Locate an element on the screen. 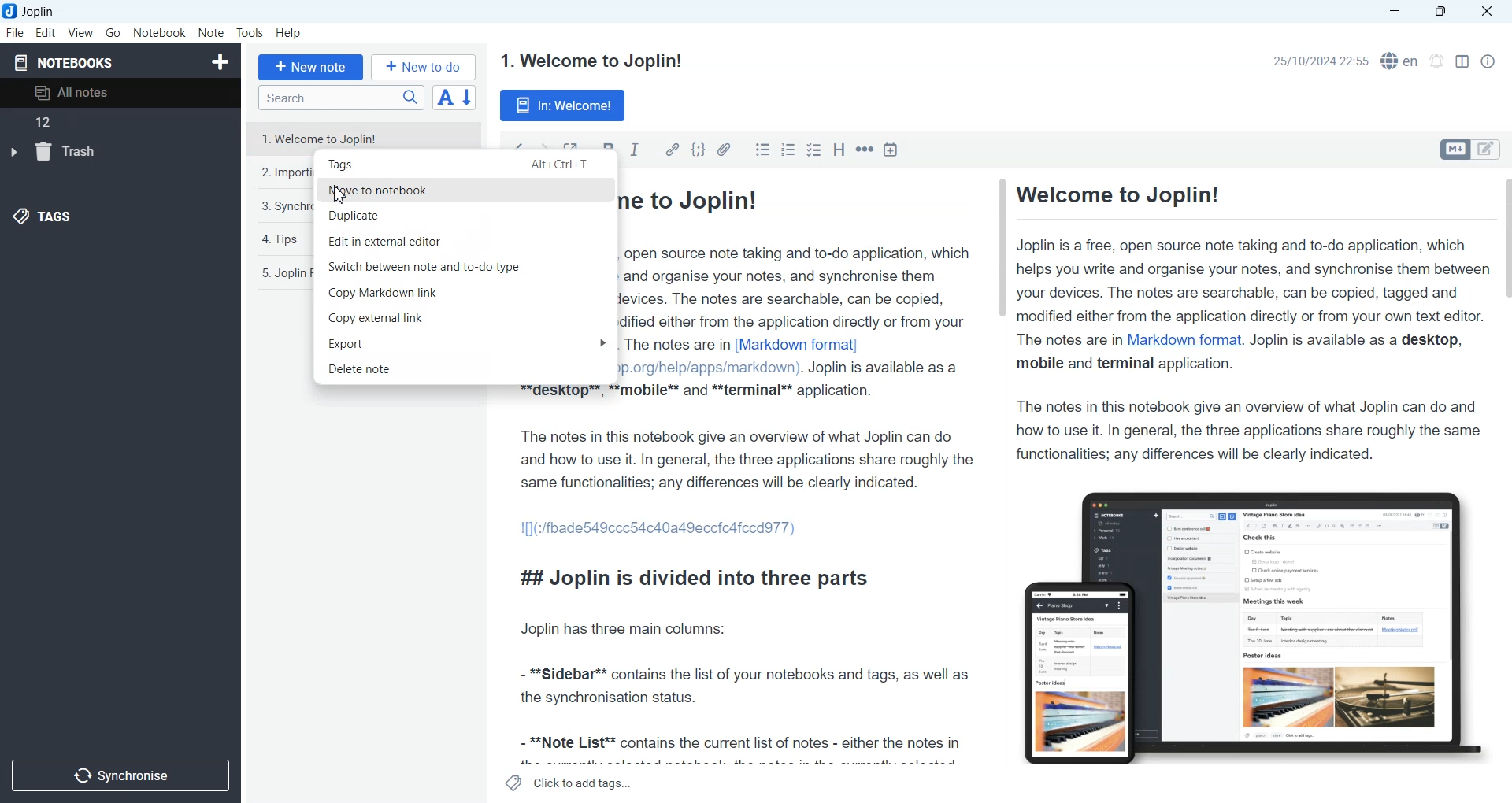 The image size is (1512, 803). Search bar is located at coordinates (341, 98).